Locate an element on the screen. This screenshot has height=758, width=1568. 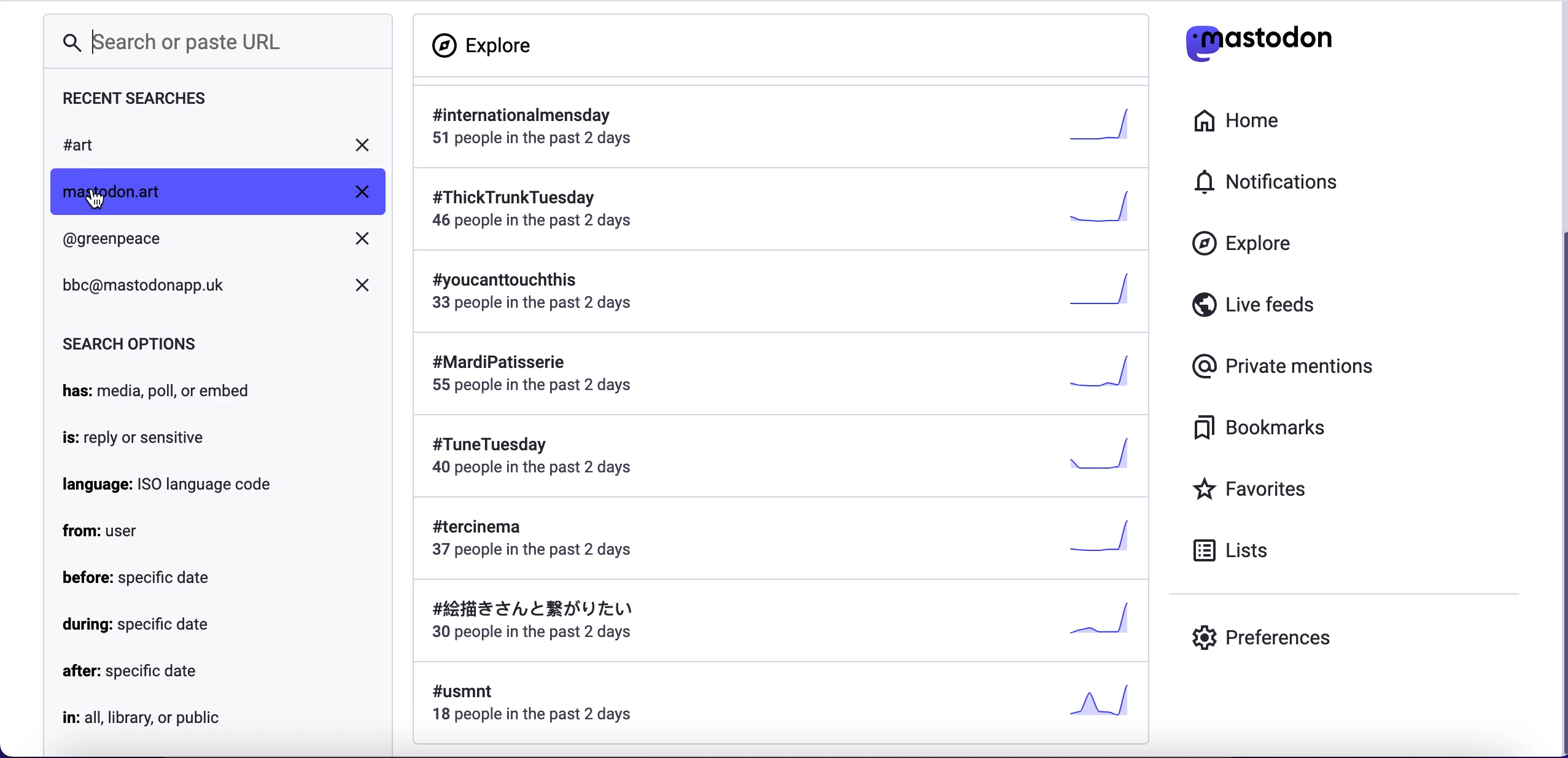
private mentions is located at coordinates (1284, 367).